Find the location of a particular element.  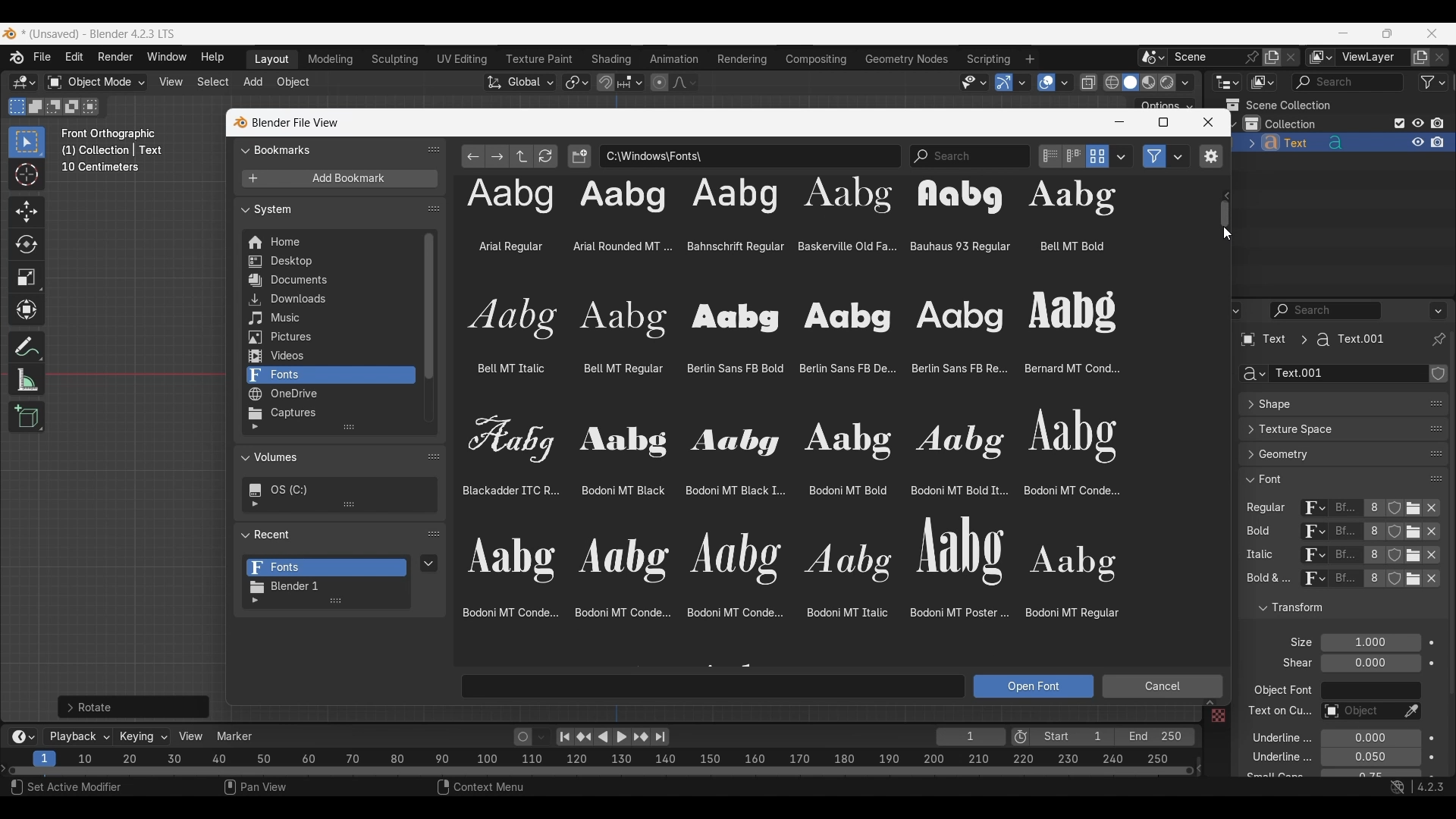

Display settings, vertical list is located at coordinates (1050, 156).